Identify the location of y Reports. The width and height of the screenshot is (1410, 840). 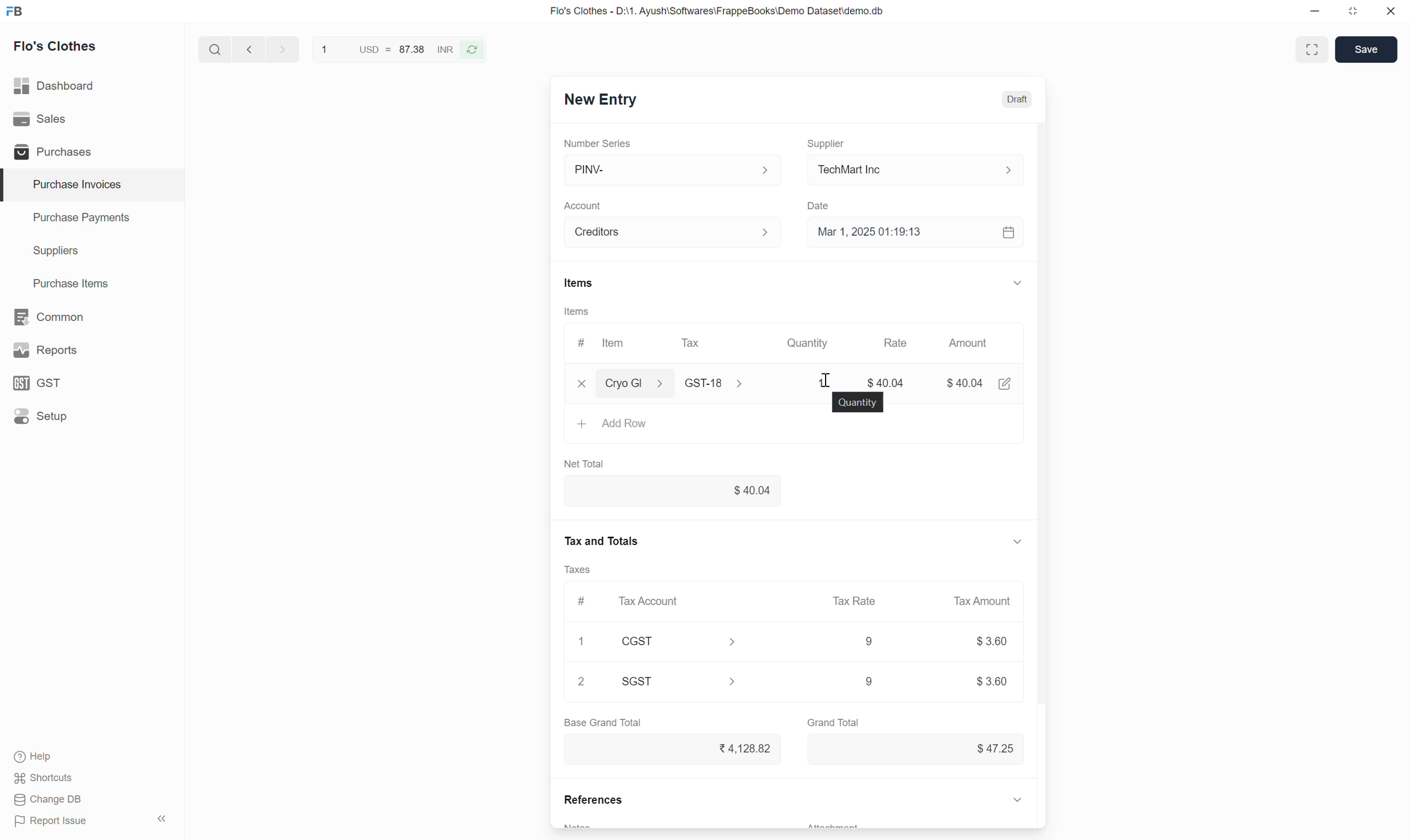
(45, 351).